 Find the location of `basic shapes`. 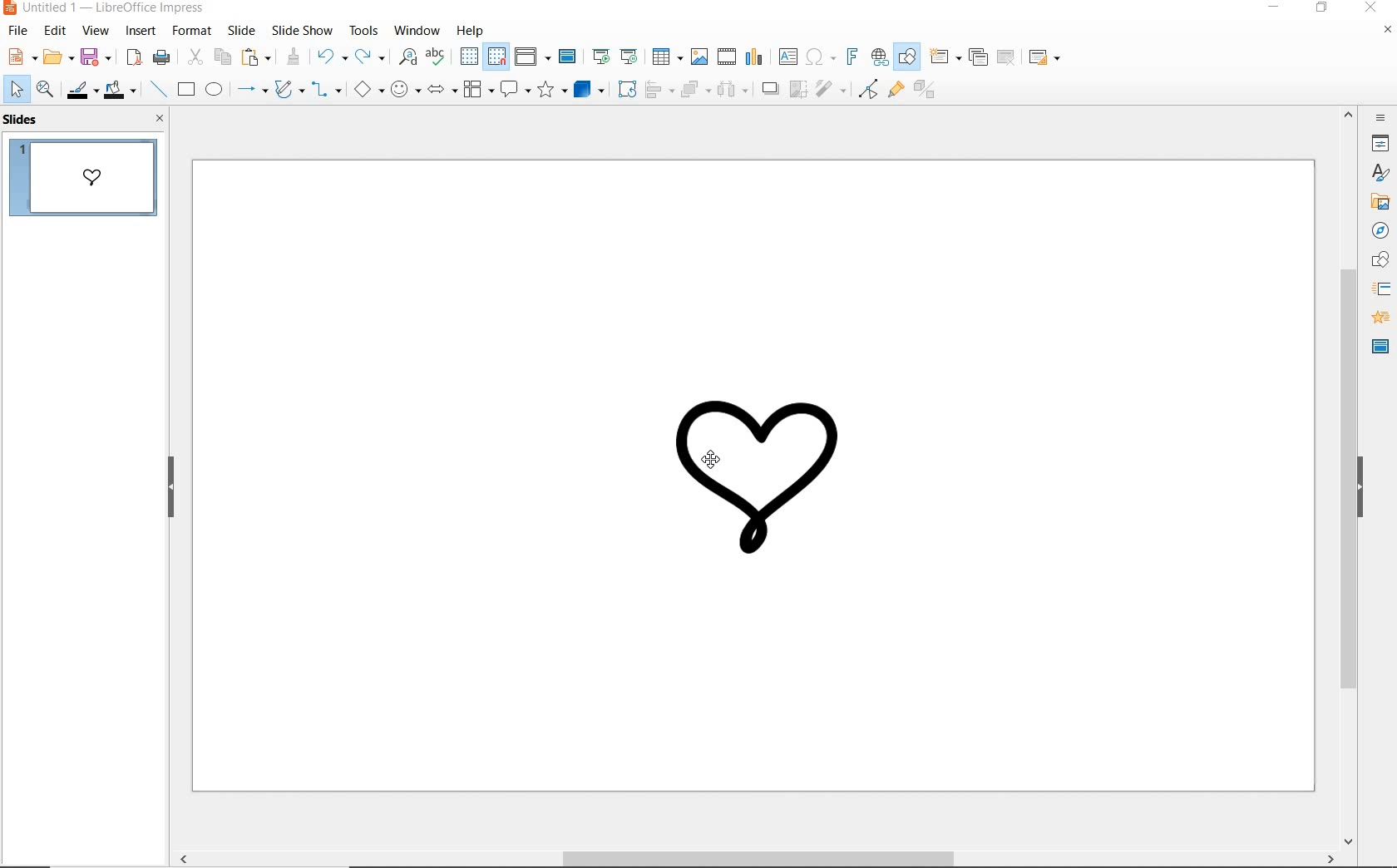

basic shapes is located at coordinates (367, 91).